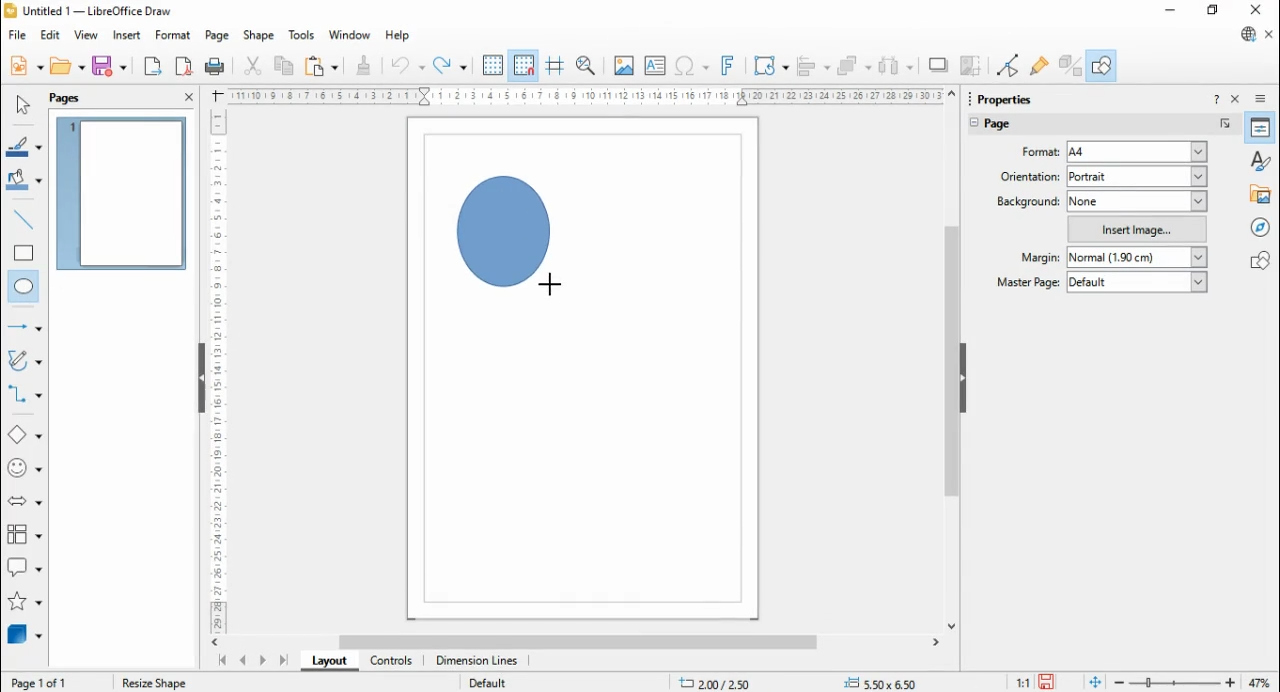  What do you see at coordinates (1270, 35) in the screenshot?
I see `close document` at bounding box center [1270, 35].